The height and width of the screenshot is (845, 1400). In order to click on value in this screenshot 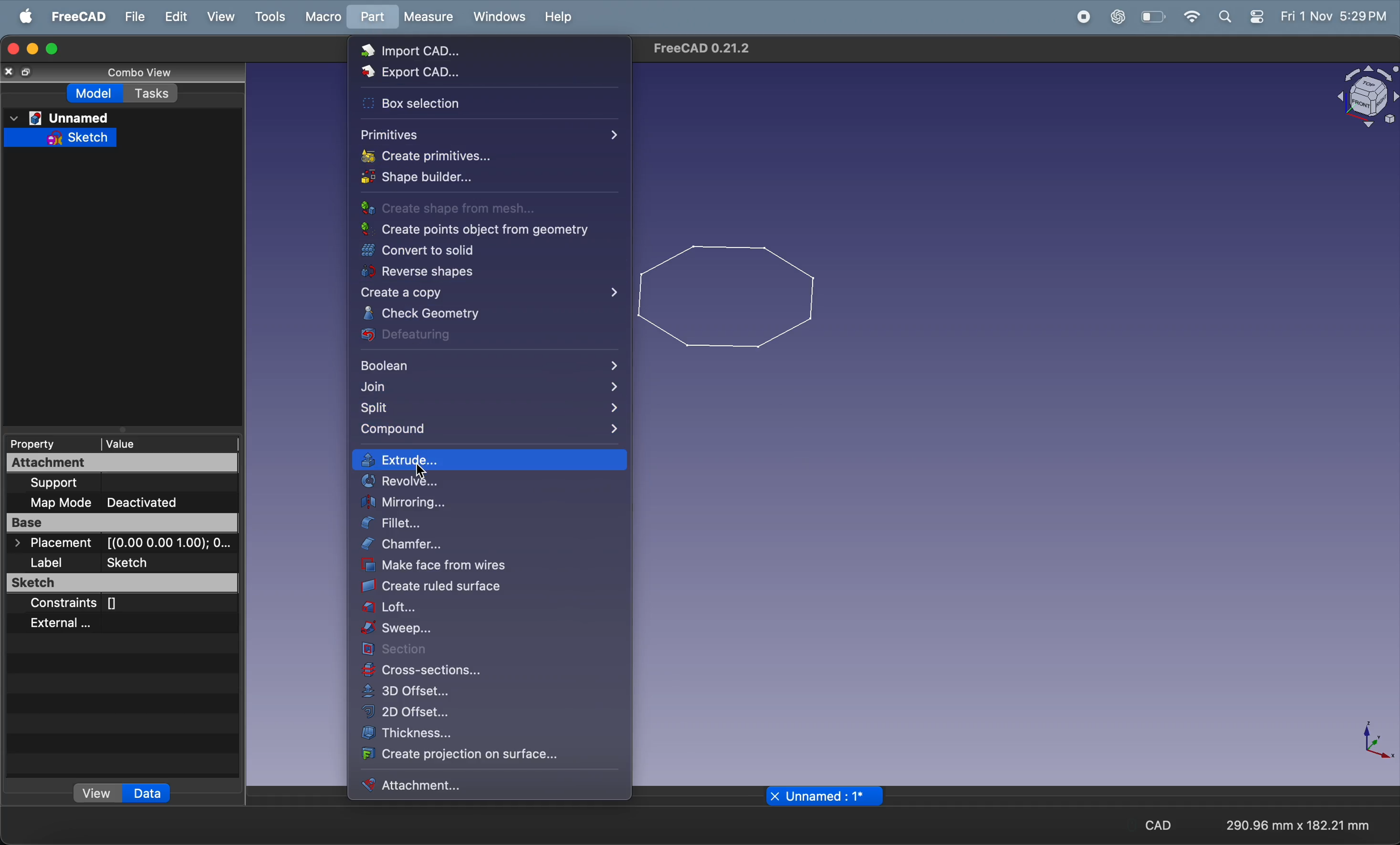, I will do `click(162, 444)`.